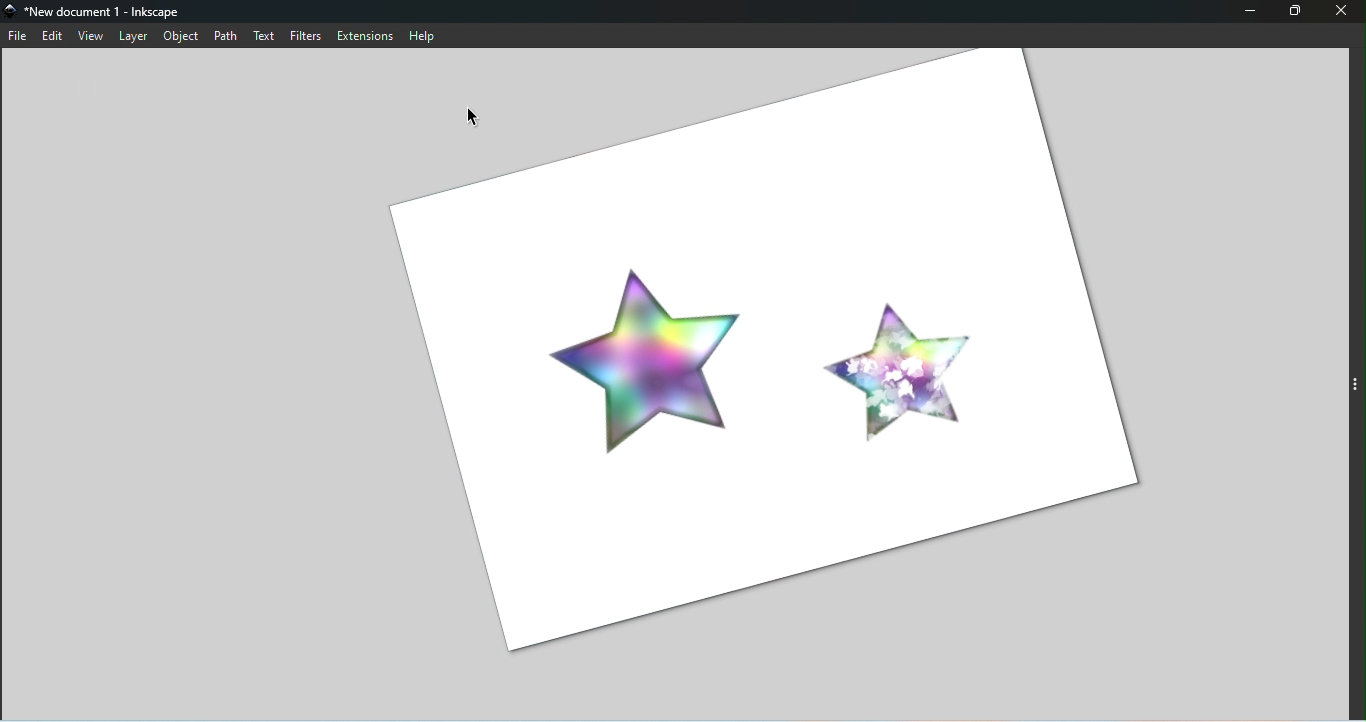  I want to click on Fullscreen, so click(1296, 12).